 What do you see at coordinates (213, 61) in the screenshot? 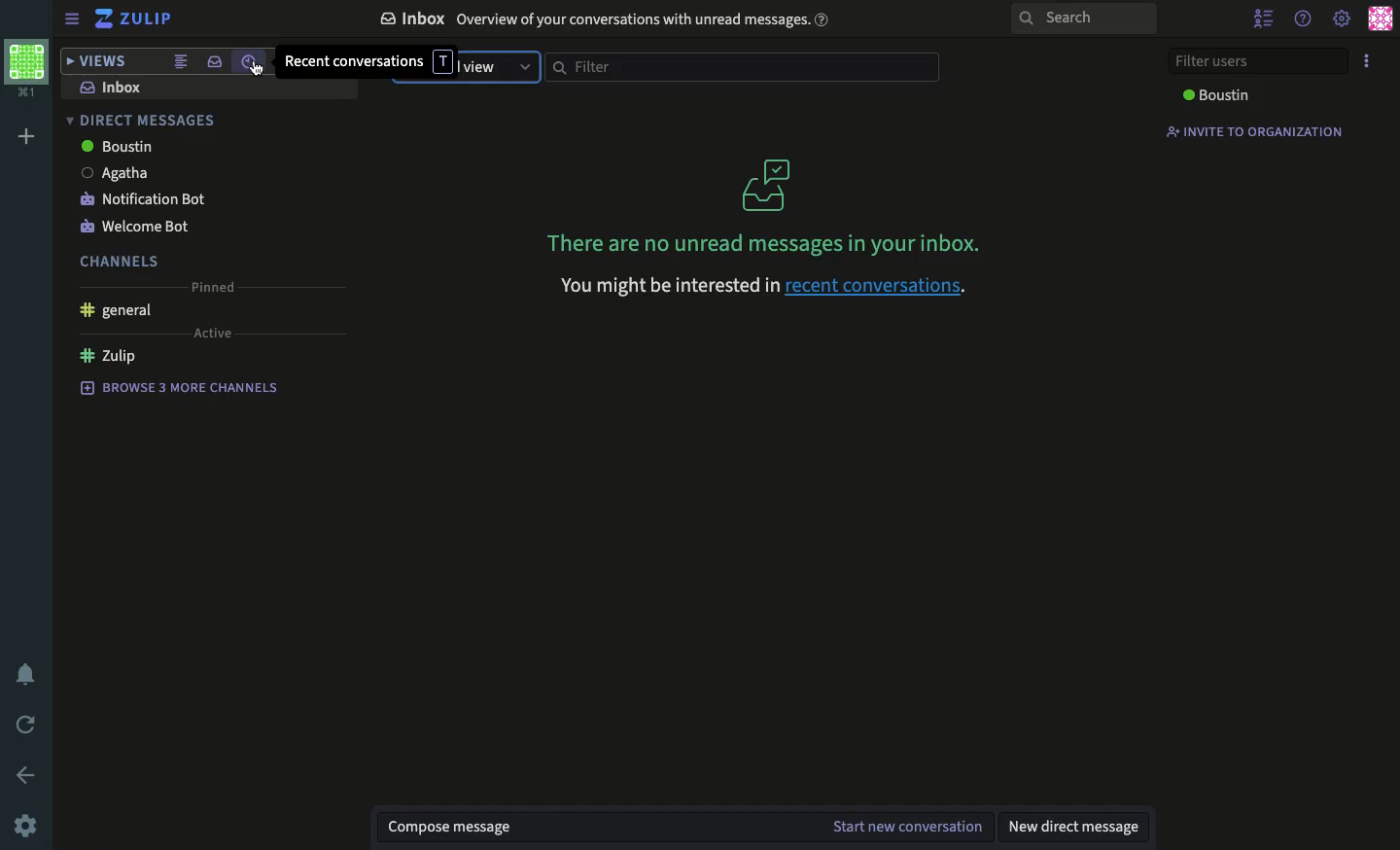
I see `inbox` at bounding box center [213, 61].